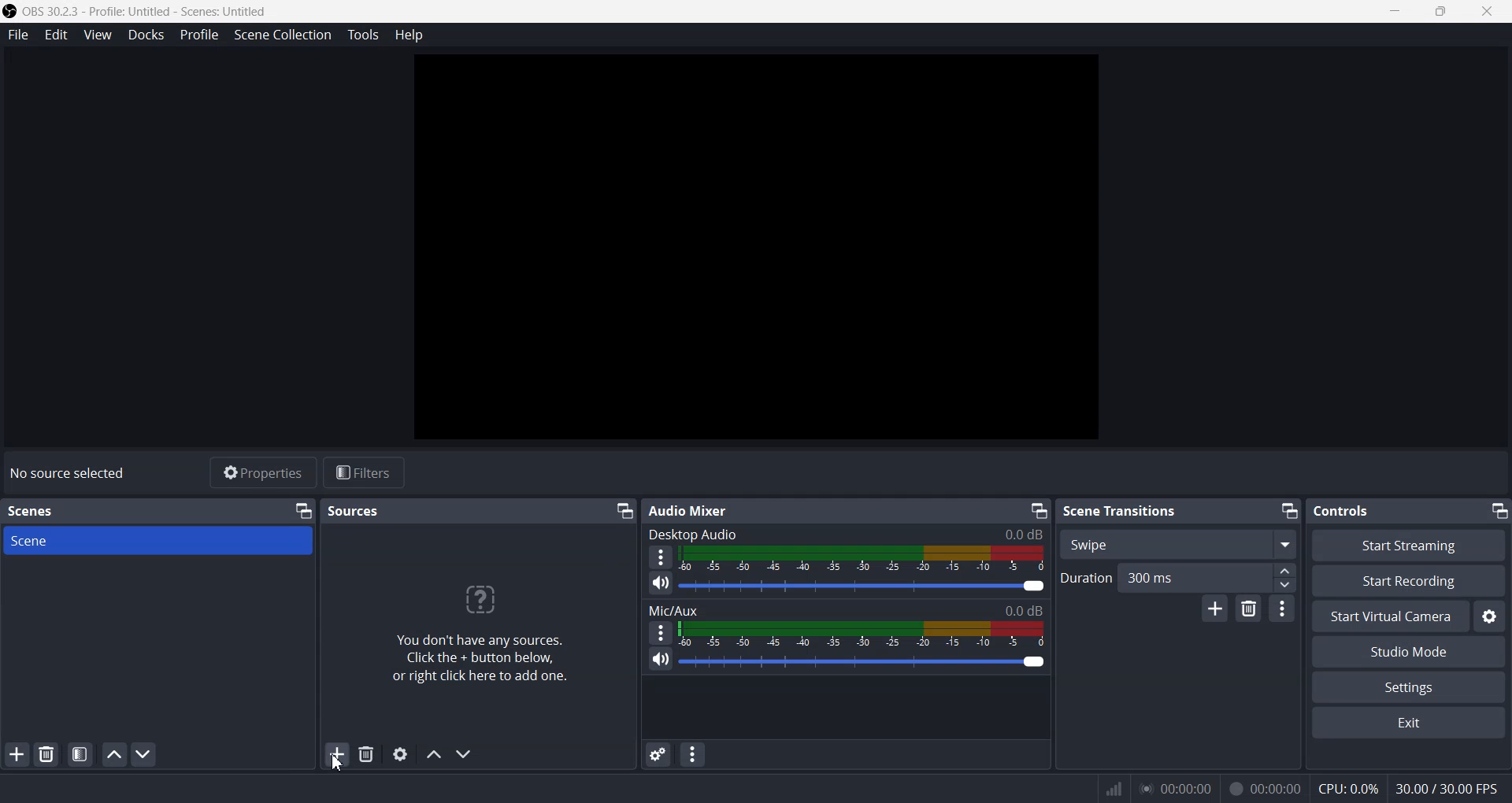 The width and height of the screenshot is (1512, 803). I want to click on Minimize, so click(303, 511).